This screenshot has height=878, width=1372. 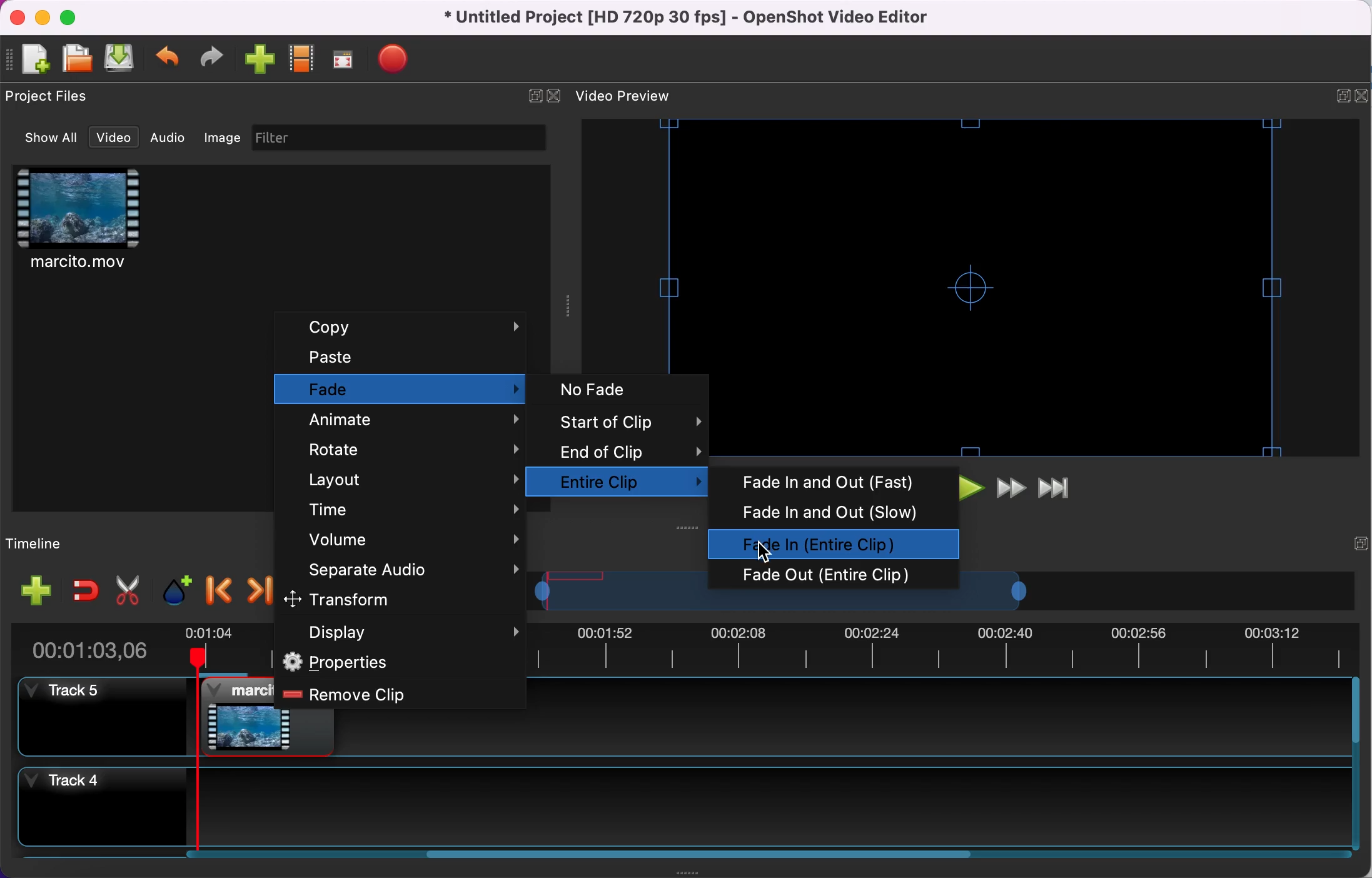 What do you see at coordinates (408, 326) in the screenshot?
I see `copy` at bounding box center [408, 326].